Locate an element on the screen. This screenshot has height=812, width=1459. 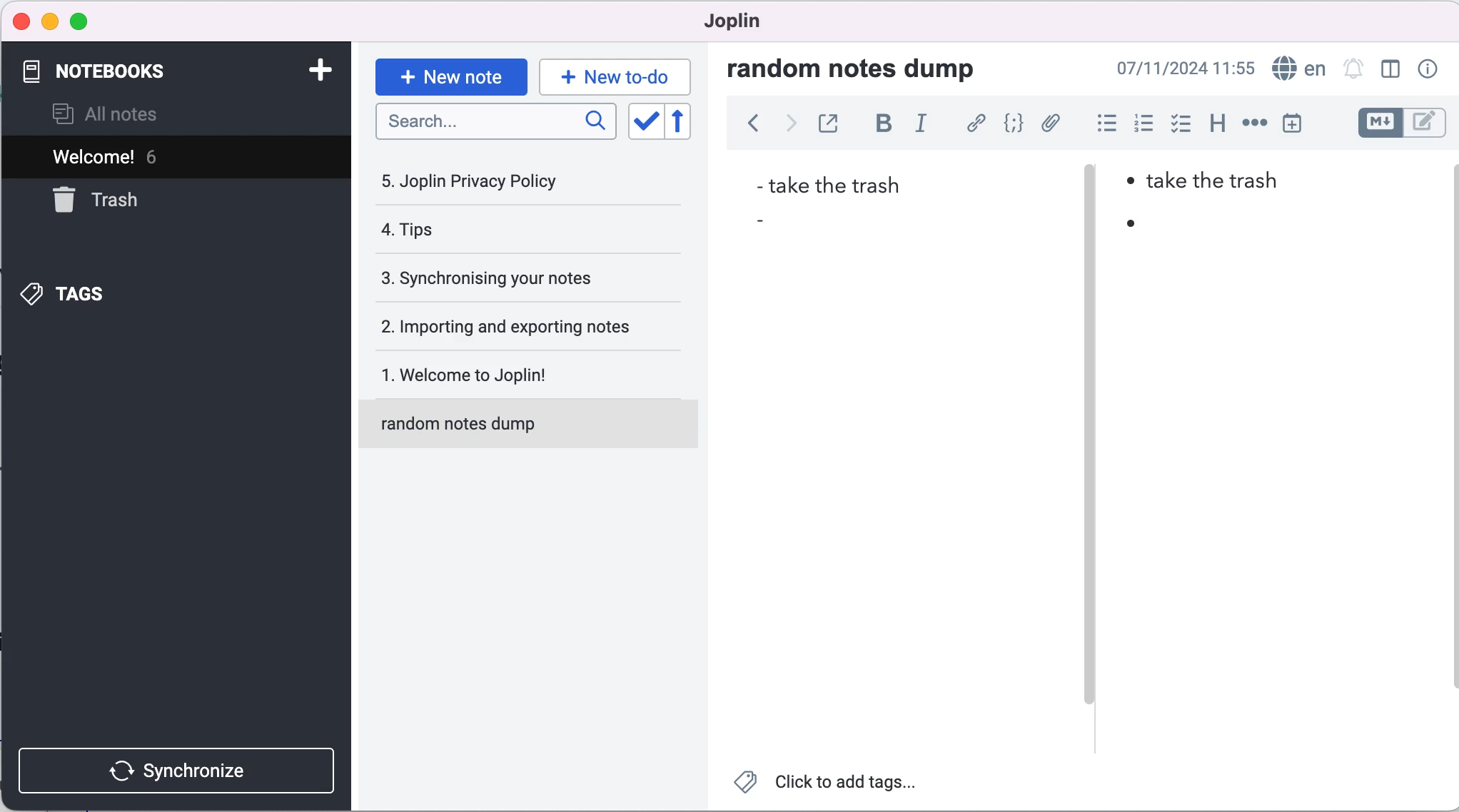
toggle external editing is located at coordinates (828, 125).